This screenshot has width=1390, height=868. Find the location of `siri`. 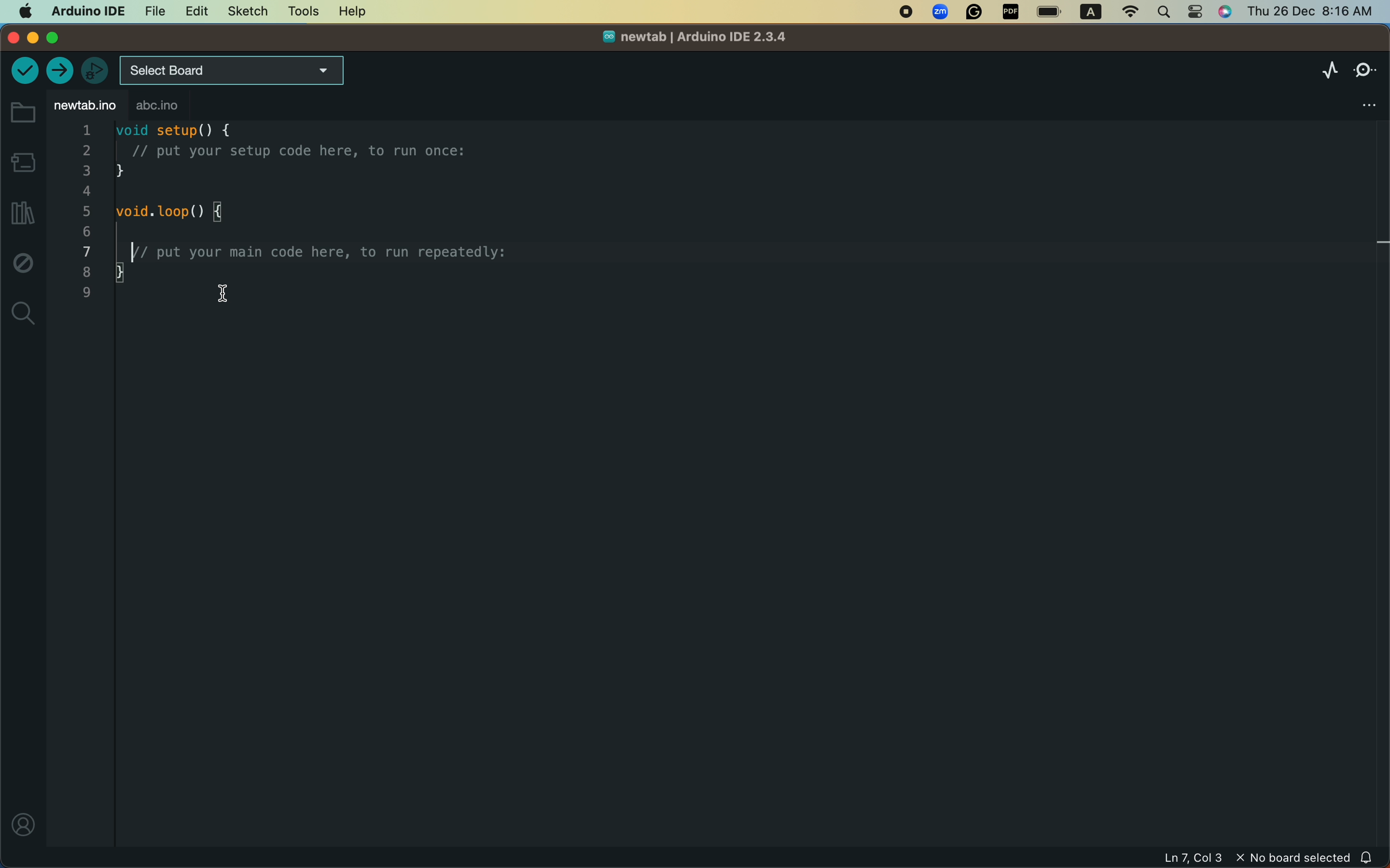

siri is located at coordinates (1228, 13).